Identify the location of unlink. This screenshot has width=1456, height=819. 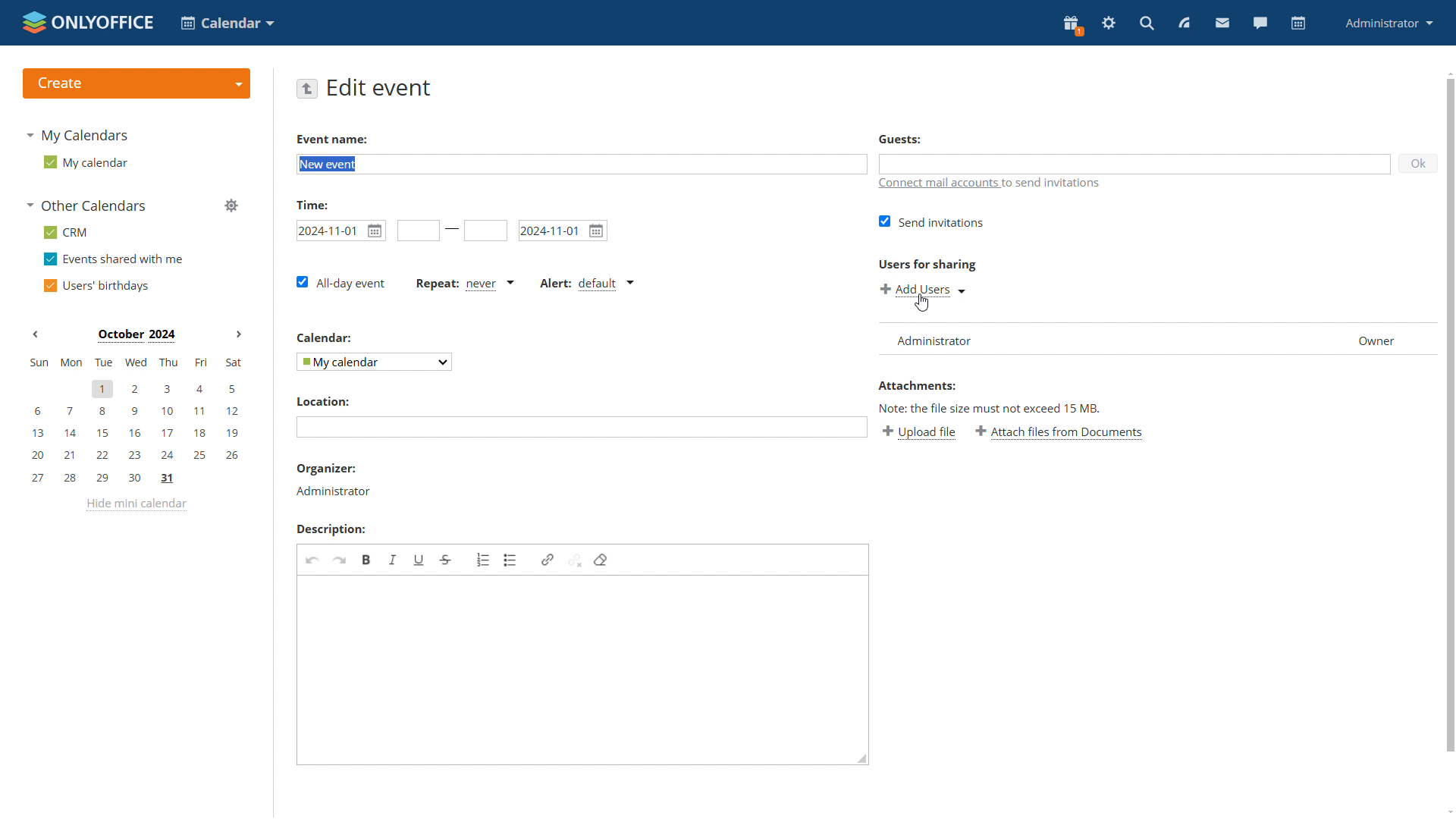
(574, 560).